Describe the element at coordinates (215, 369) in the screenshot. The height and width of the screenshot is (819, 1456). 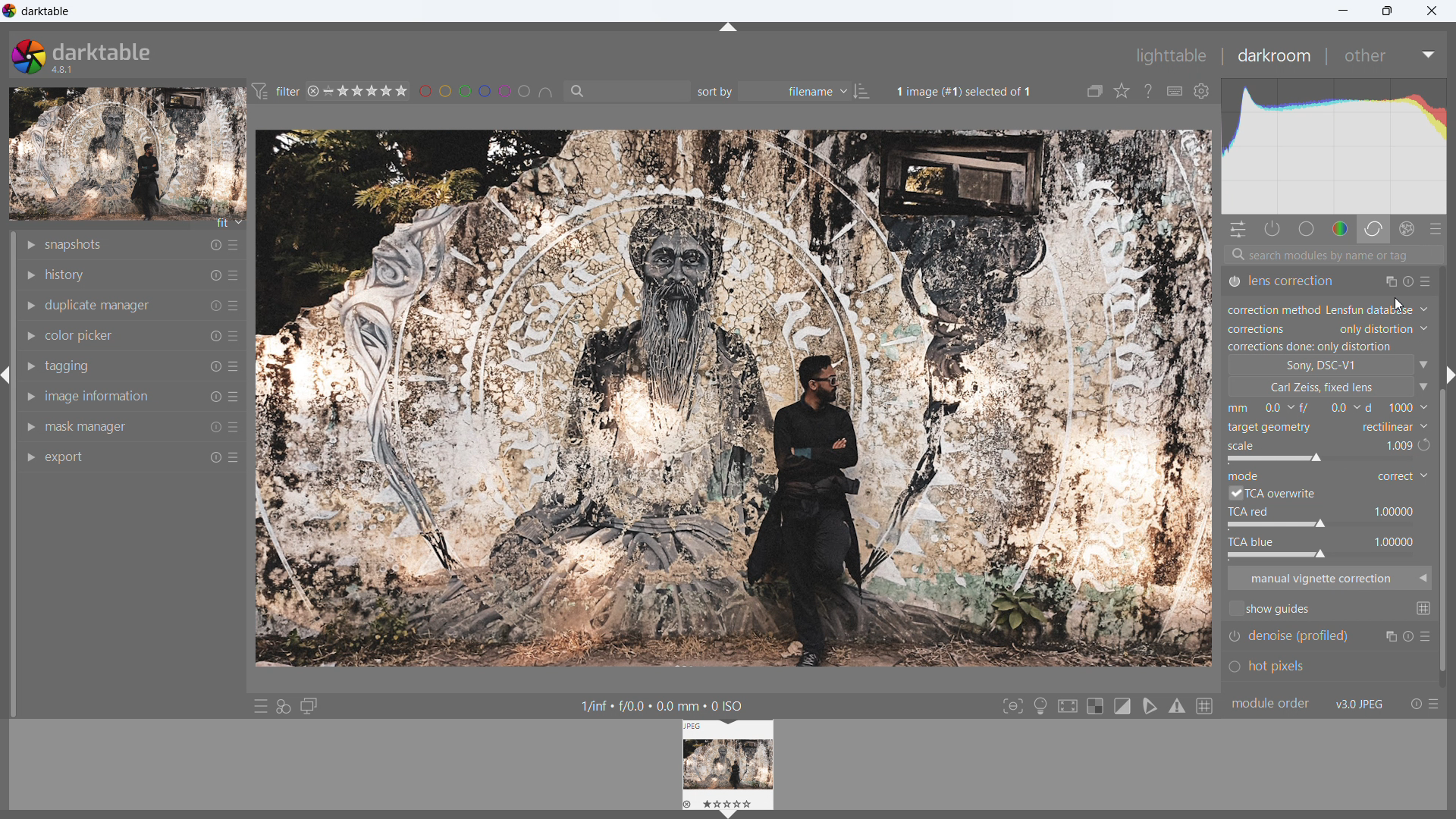
I see `reset` at that location.